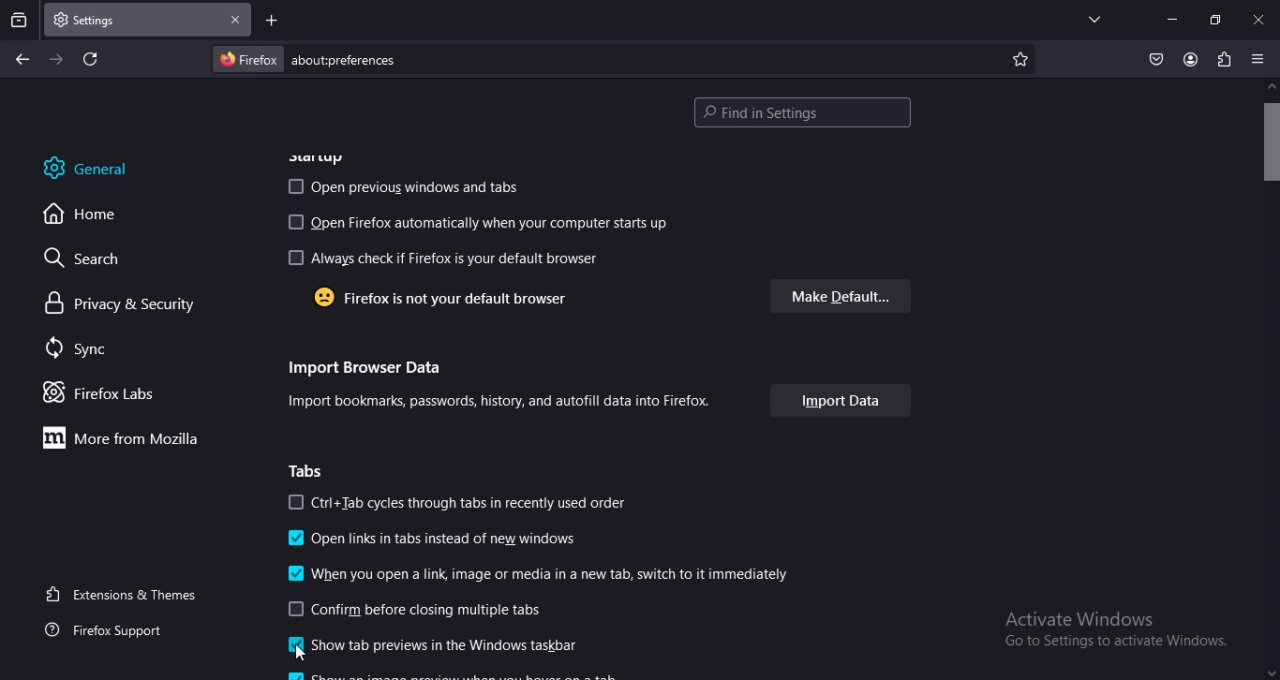 The image size is (1280, 680). I want to click on Import Browser Data
Import bookmarks, passwords, history, and autofill data into Firefox., so click(498, 382).